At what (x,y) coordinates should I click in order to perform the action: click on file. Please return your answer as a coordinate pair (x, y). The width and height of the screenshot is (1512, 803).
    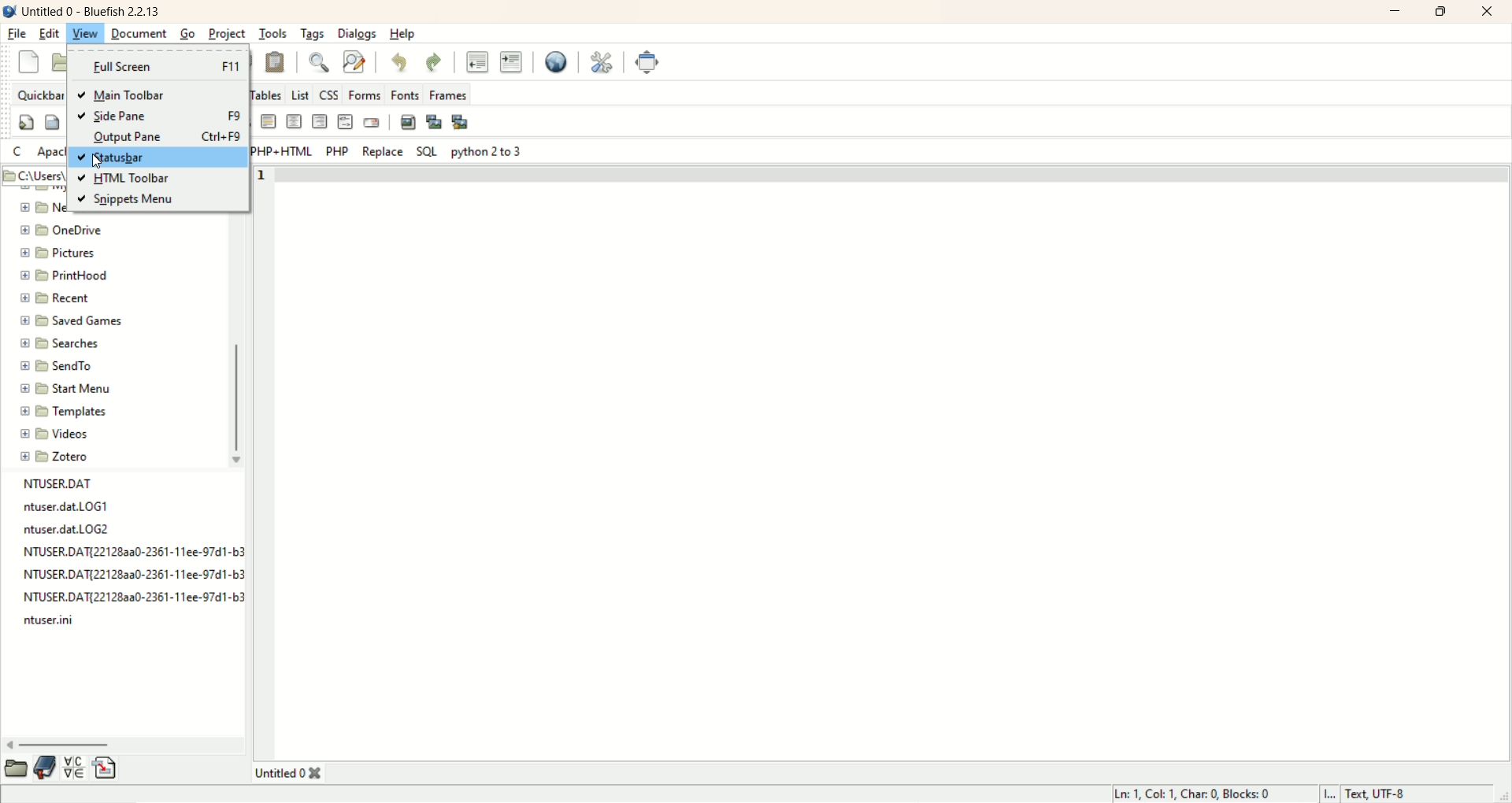
    Looking at the image, I should click on (131, 574).